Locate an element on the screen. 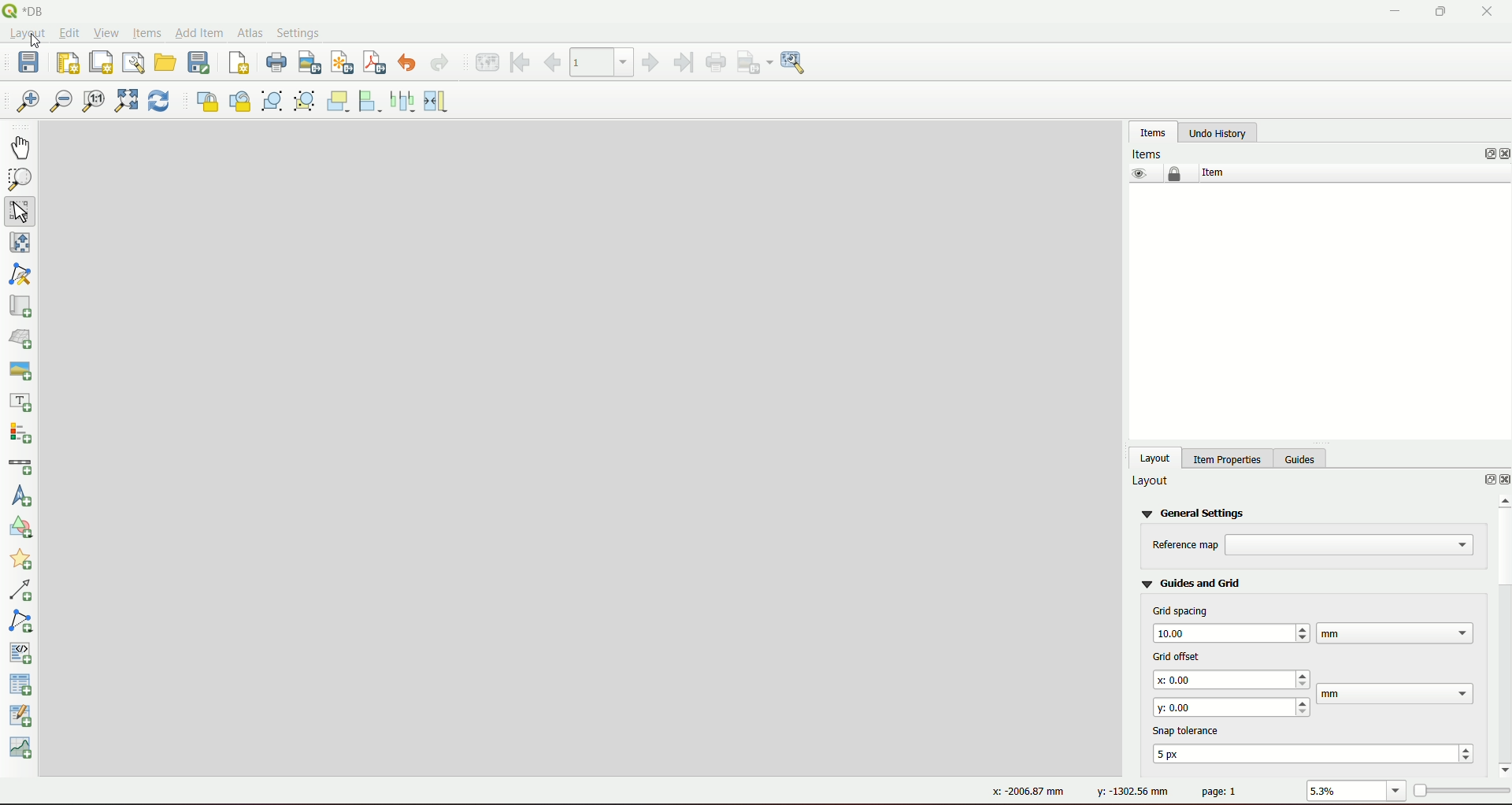 This screenshot has height=805, width=1512. options is located at coordinates (1490, 154).